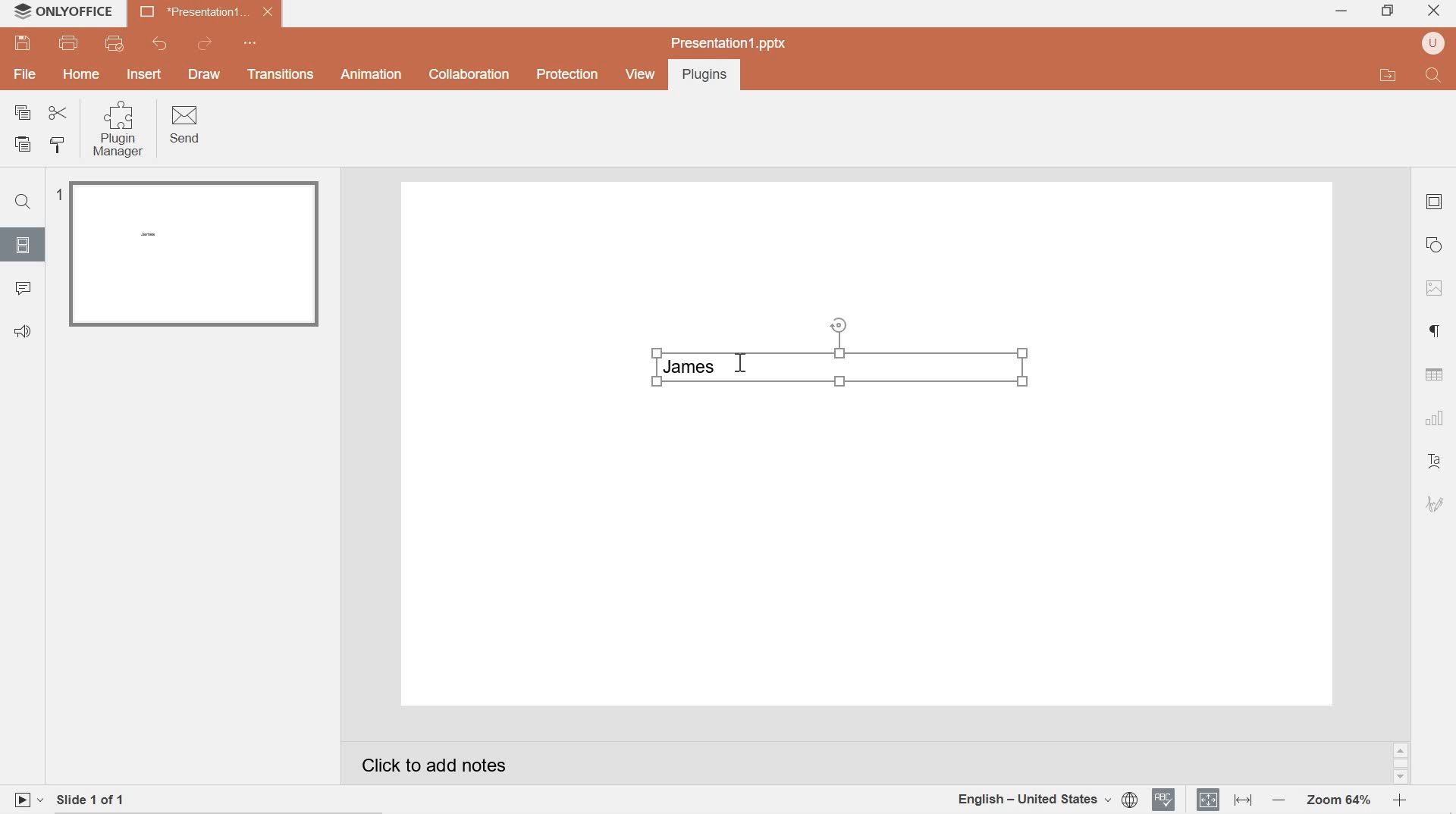 This screenshot has height=814, width=1456. What do you see at coordinates (1435, 75) in the screenshot?
I see `Find` at bounding box center [1435, 75].